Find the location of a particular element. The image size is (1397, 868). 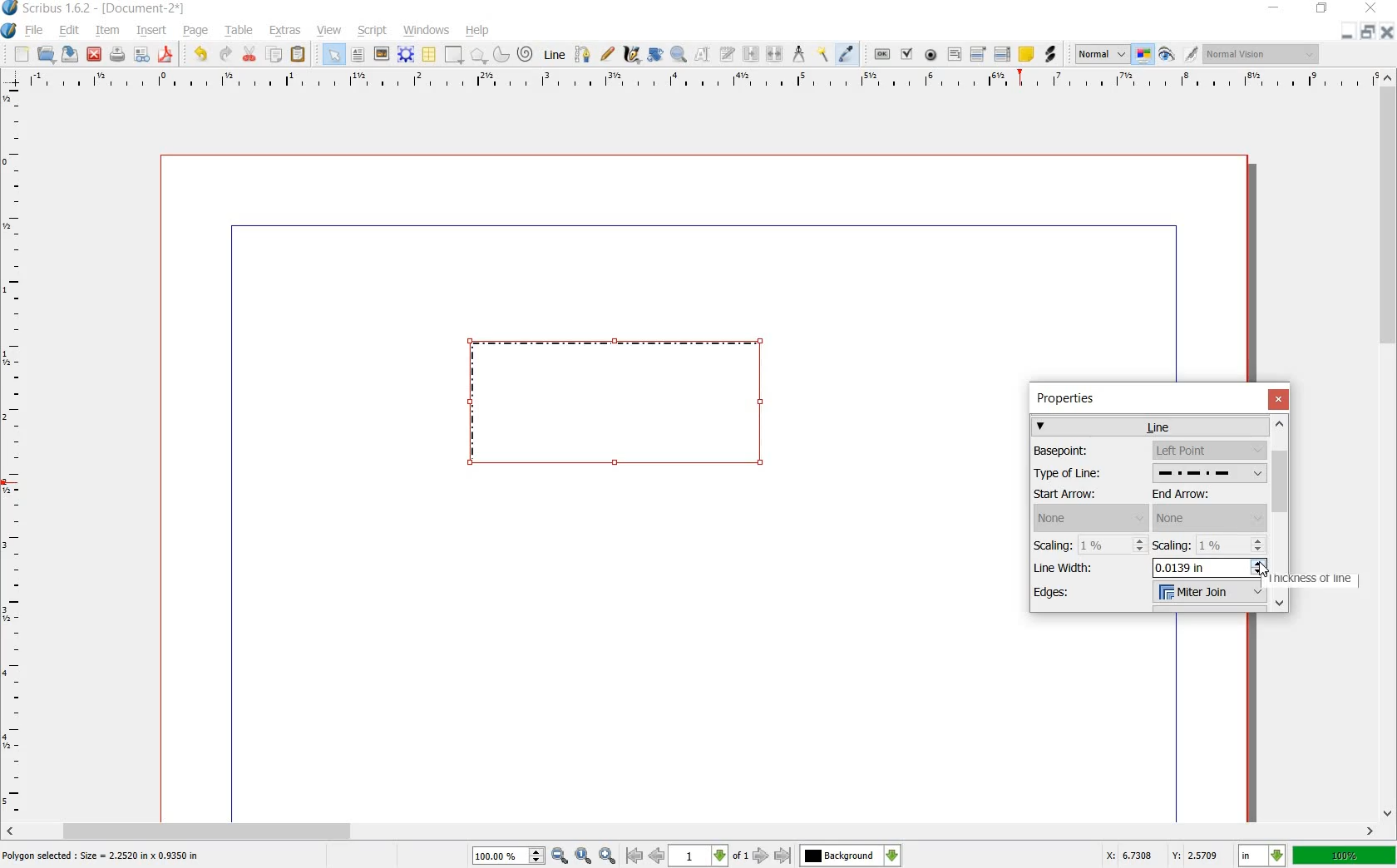

zoom in is located at coordinates (608, 856).